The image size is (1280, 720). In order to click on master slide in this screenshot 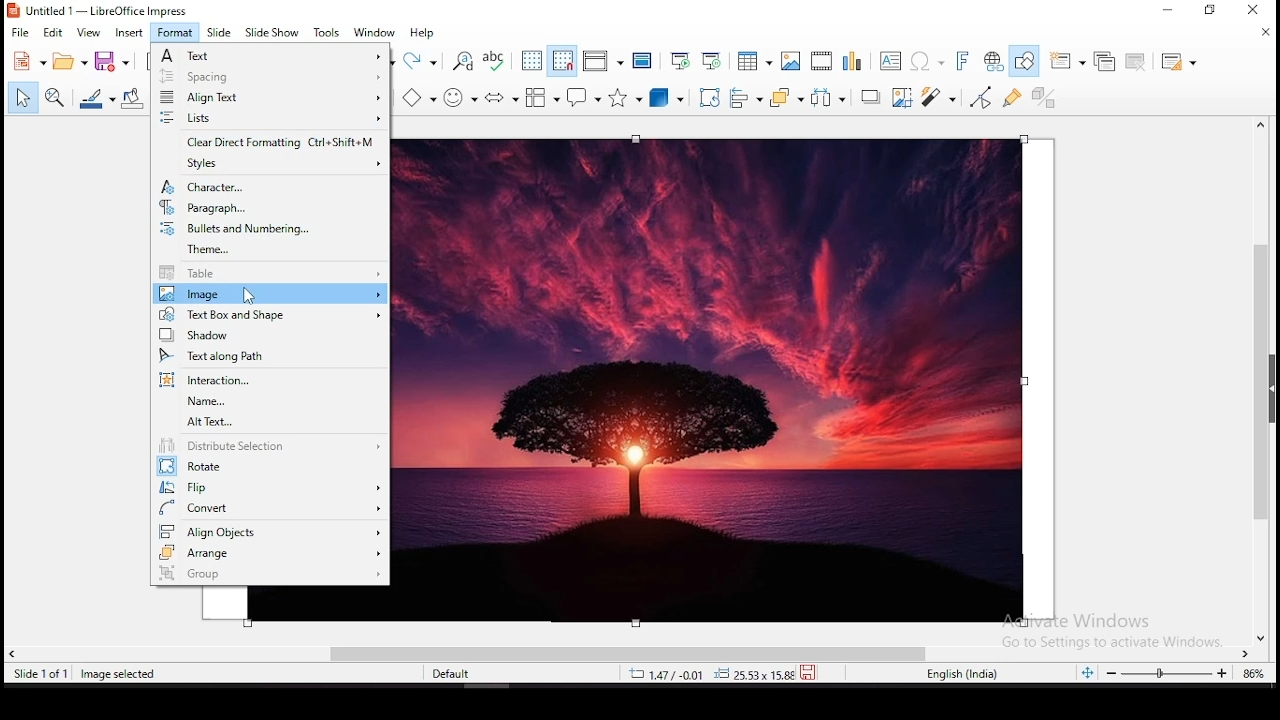, I will do `click(641, 60)`.